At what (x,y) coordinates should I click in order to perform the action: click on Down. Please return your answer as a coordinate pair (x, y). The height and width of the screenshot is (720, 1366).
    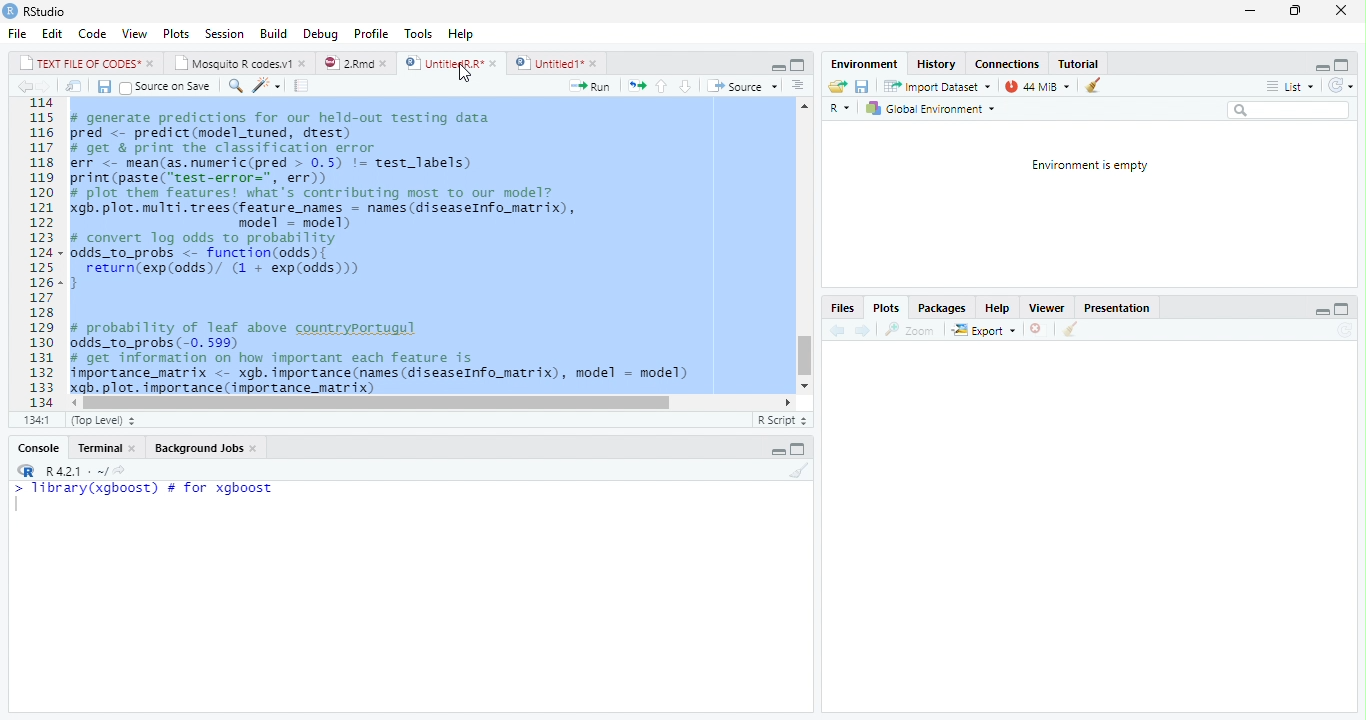
    Looking at the image, I should click on (685, 85).